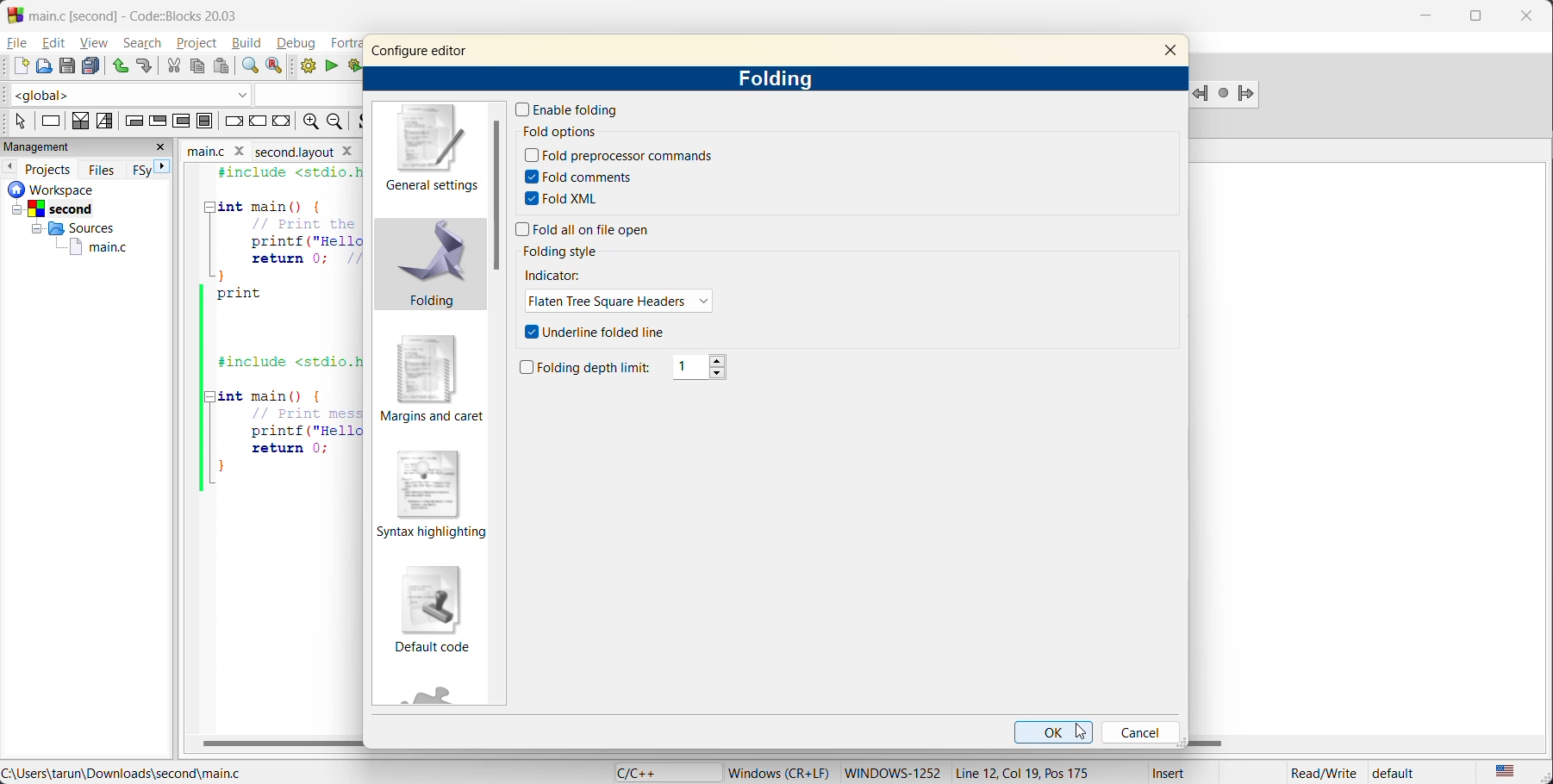 The width and height of the screenshot is (1553, 784). What do you see at coordinates (14, 121) in the screenshot?
I see `select` at bounding box center [14, 121].